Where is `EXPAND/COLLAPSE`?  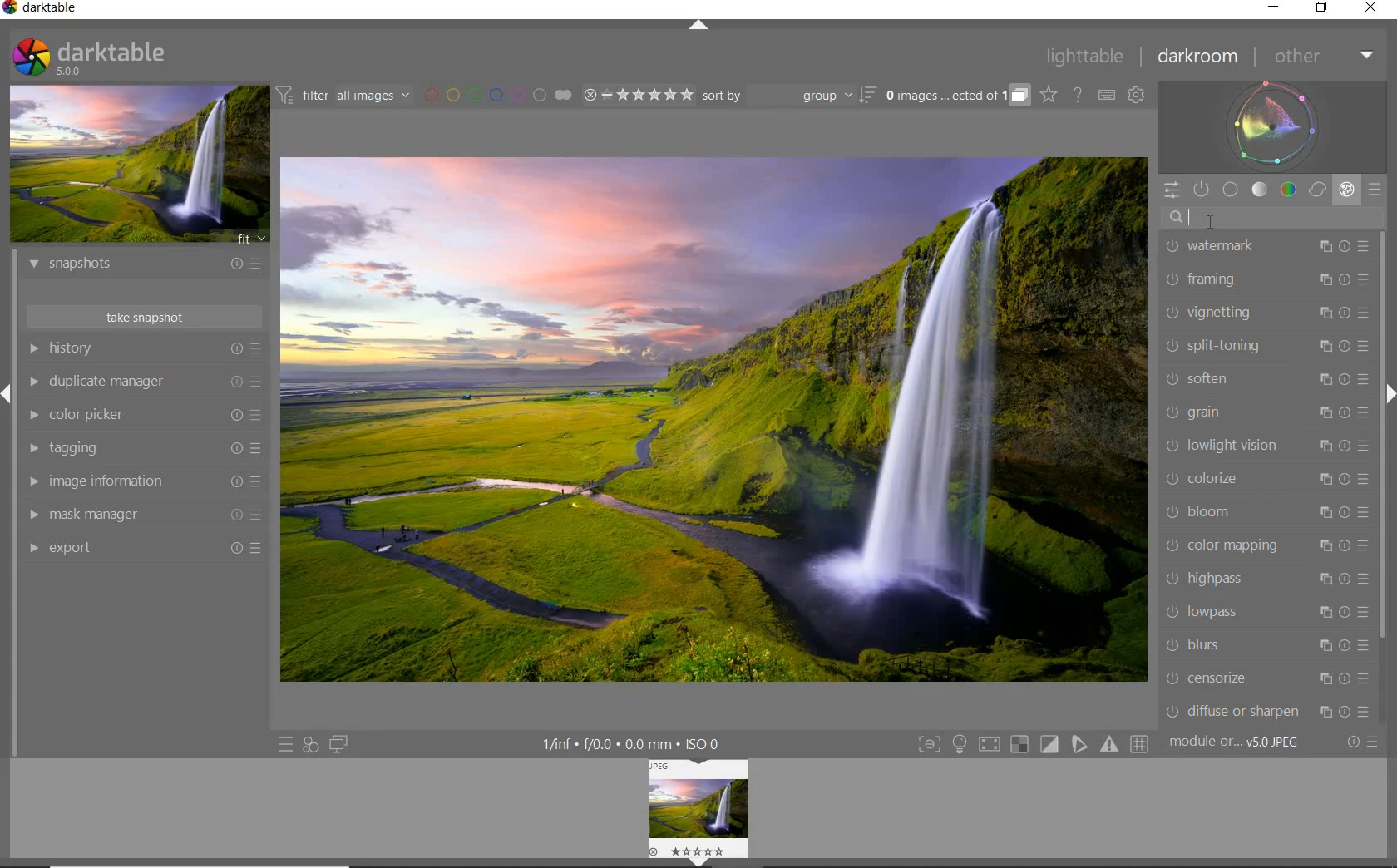
EXPAND/COLLAPSE is located at coordinates (700, 28).